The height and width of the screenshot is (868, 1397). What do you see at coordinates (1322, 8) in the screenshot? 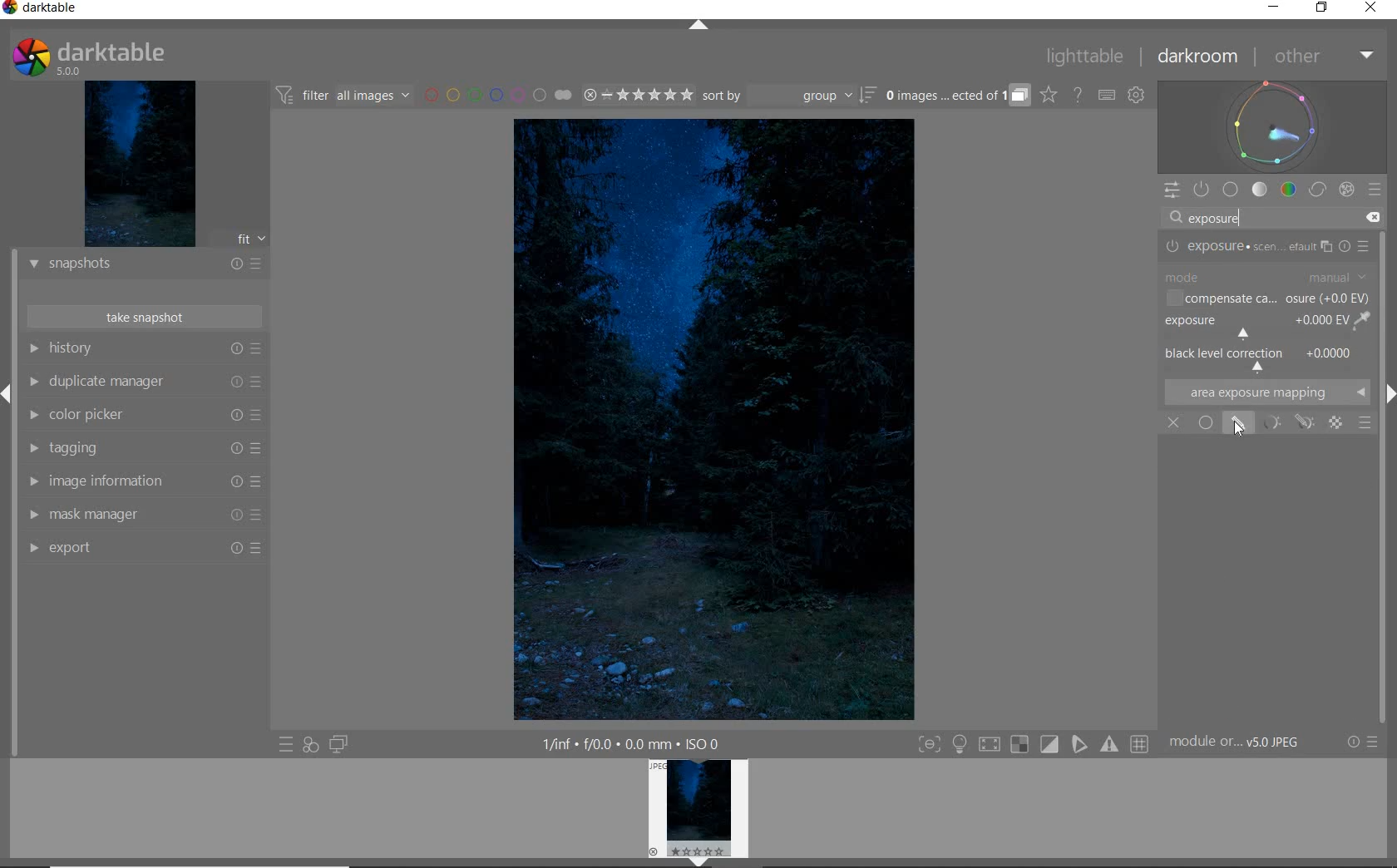
I see `RESTORE` at bounding box center [1322, 8].